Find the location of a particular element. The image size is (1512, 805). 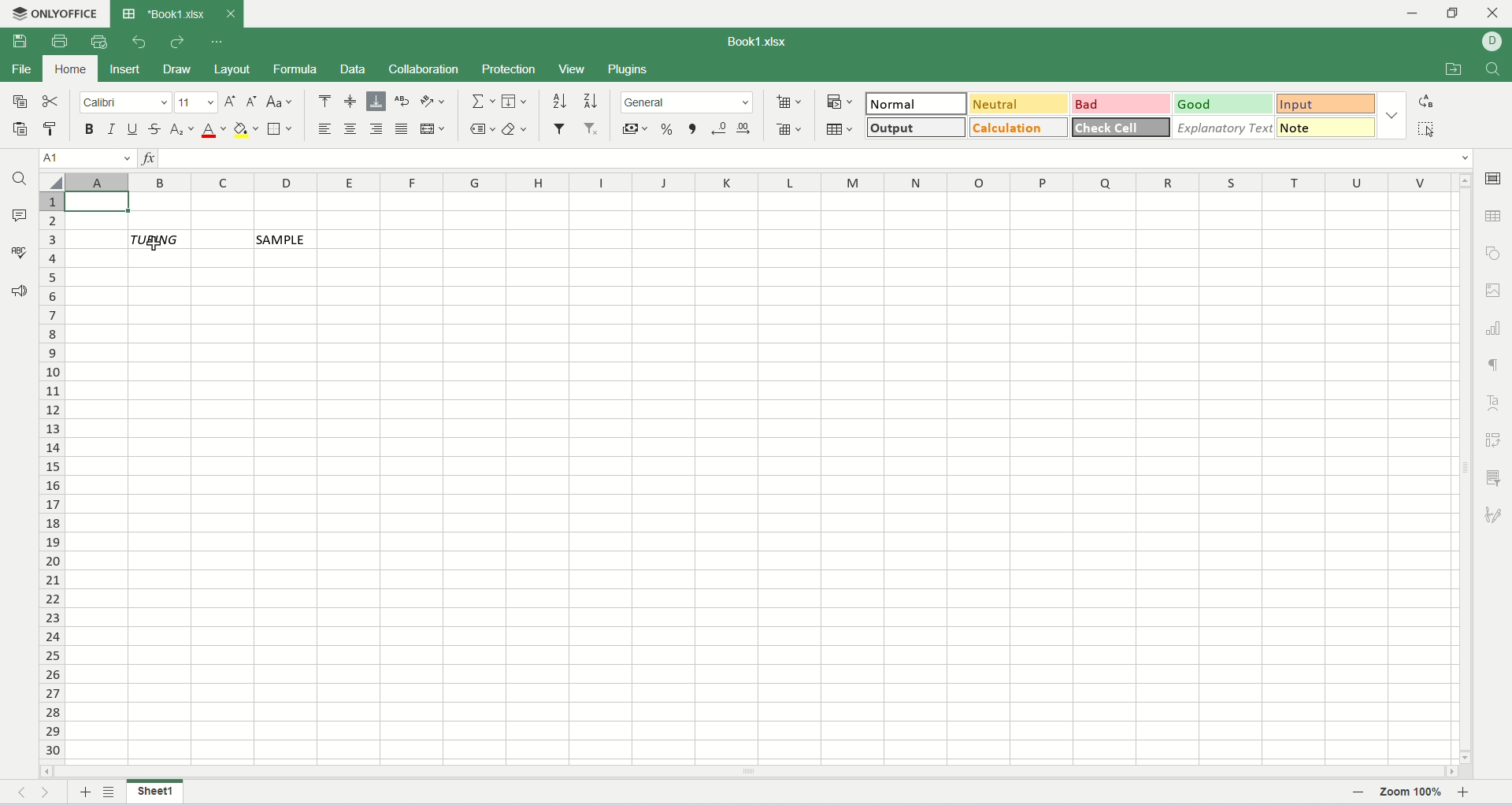

italic is located at coordinates (112, 130).